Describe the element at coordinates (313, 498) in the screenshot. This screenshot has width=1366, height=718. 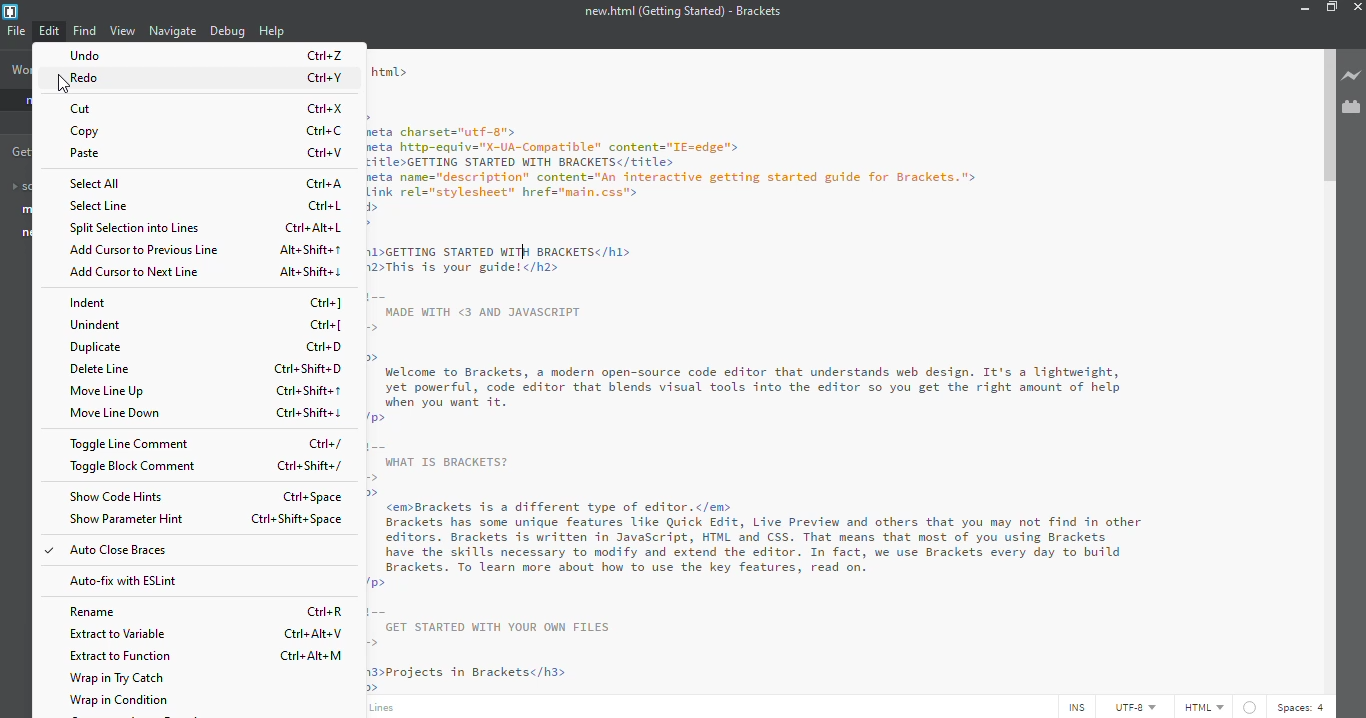
I see `ctrl+space` at that location.